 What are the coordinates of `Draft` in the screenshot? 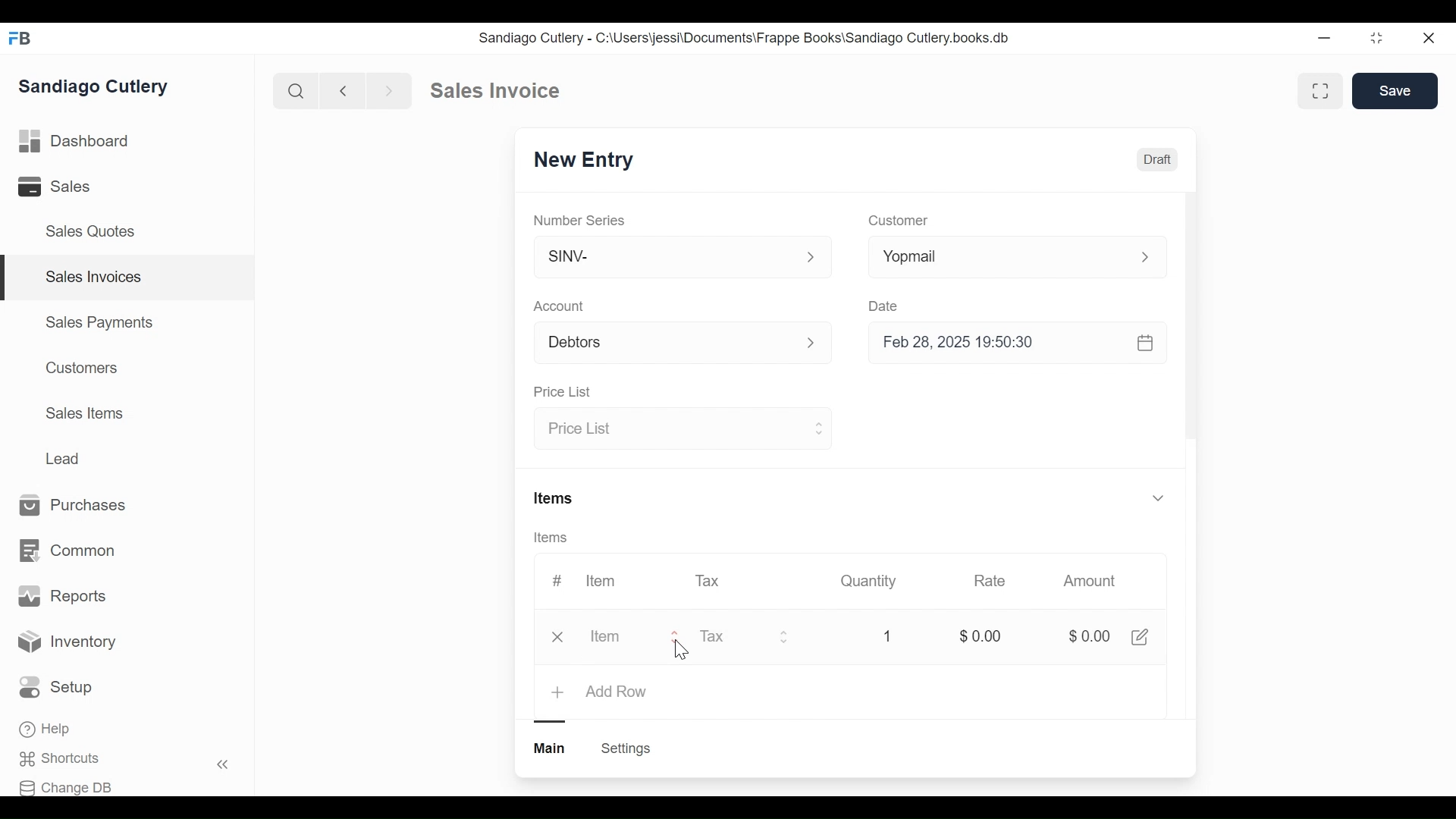 It's located at (1156, 159).